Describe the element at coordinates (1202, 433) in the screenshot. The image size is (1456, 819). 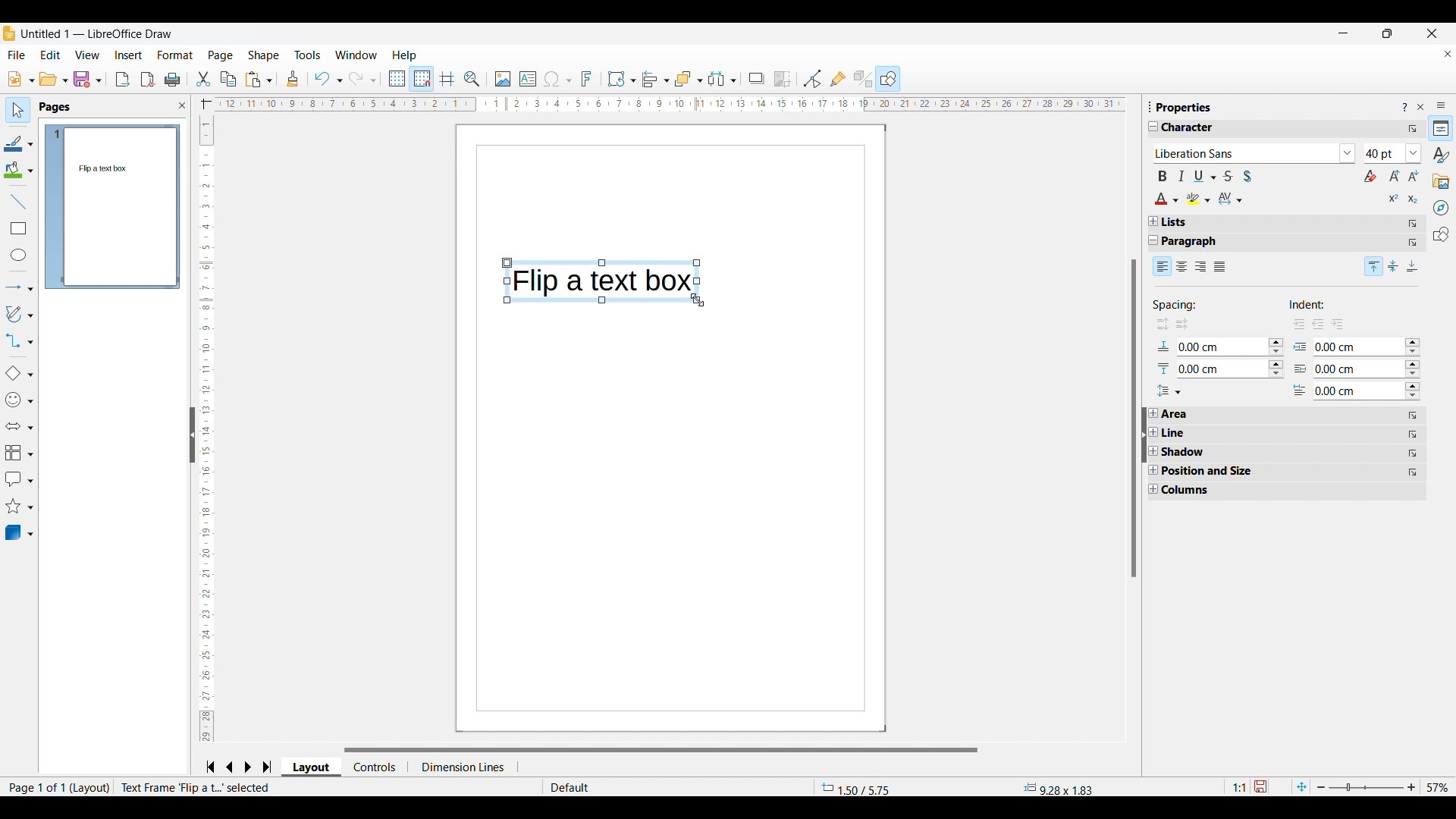
I see `Line property` at that location.